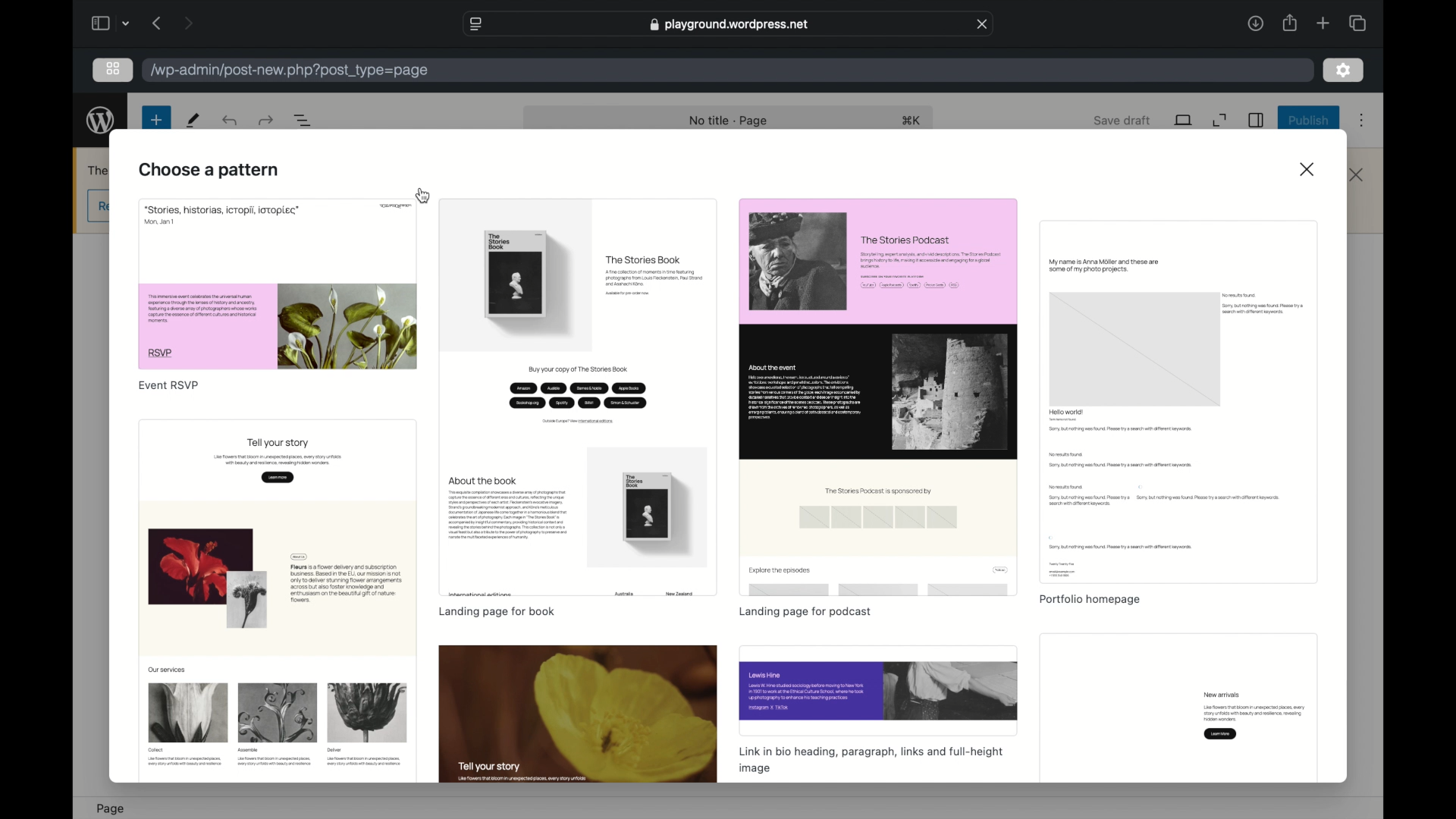 The height and width of the screenshot is (819, 1456). I want to click on show tab overview, so click(1357, 23).